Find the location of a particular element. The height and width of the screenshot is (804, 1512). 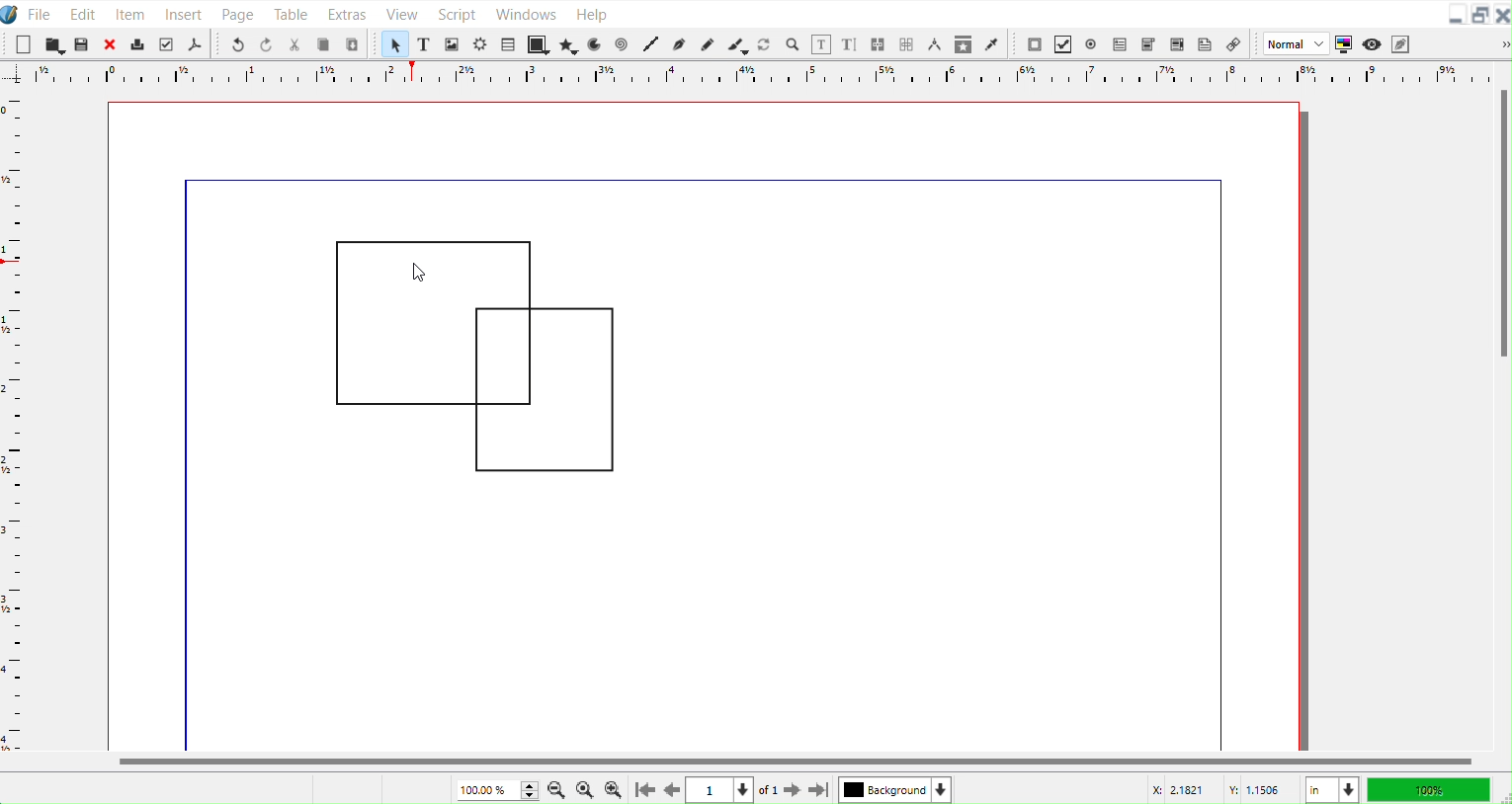

Preview mode is located at coordinates (1371, 42).